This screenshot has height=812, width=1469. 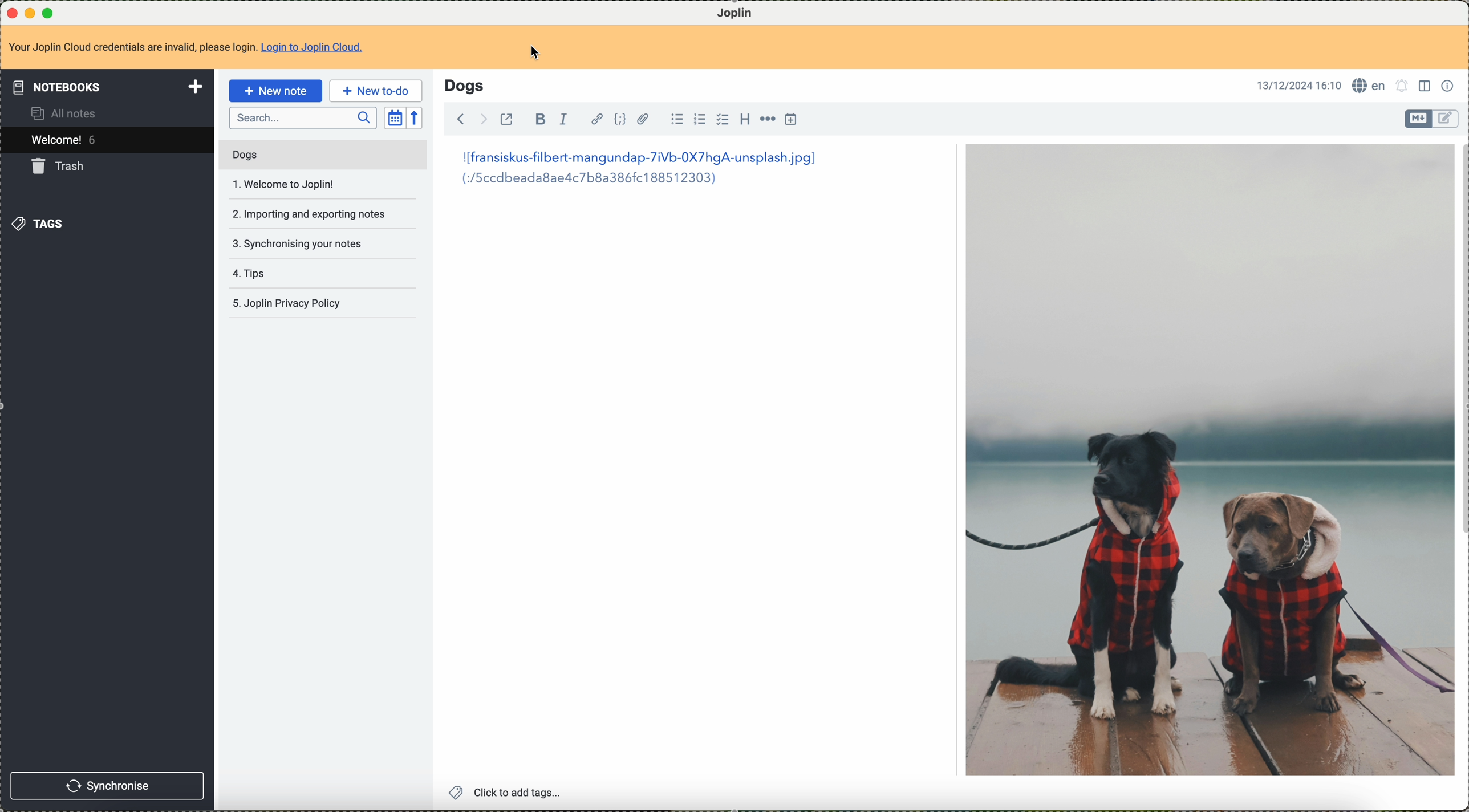 What do you see at coordinates (311, 209) in the screenshot?
I see `importing and exportin notes` at bounding box center [311, 209].